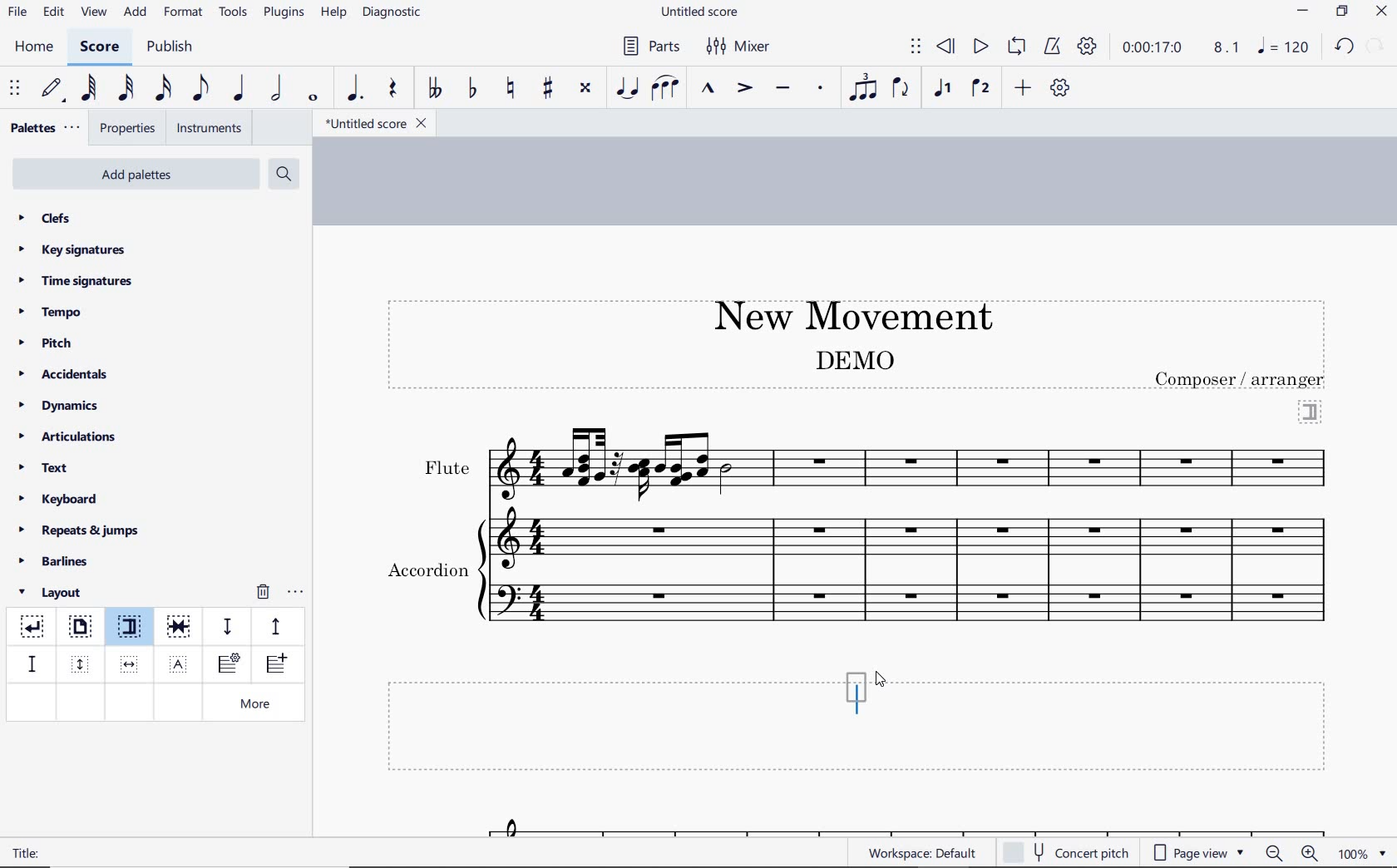 The width and height of the screenshot is (1397, 868). Describe the element at coordinates (1153, 47) in the screenshot. I see `playback time` at that location.